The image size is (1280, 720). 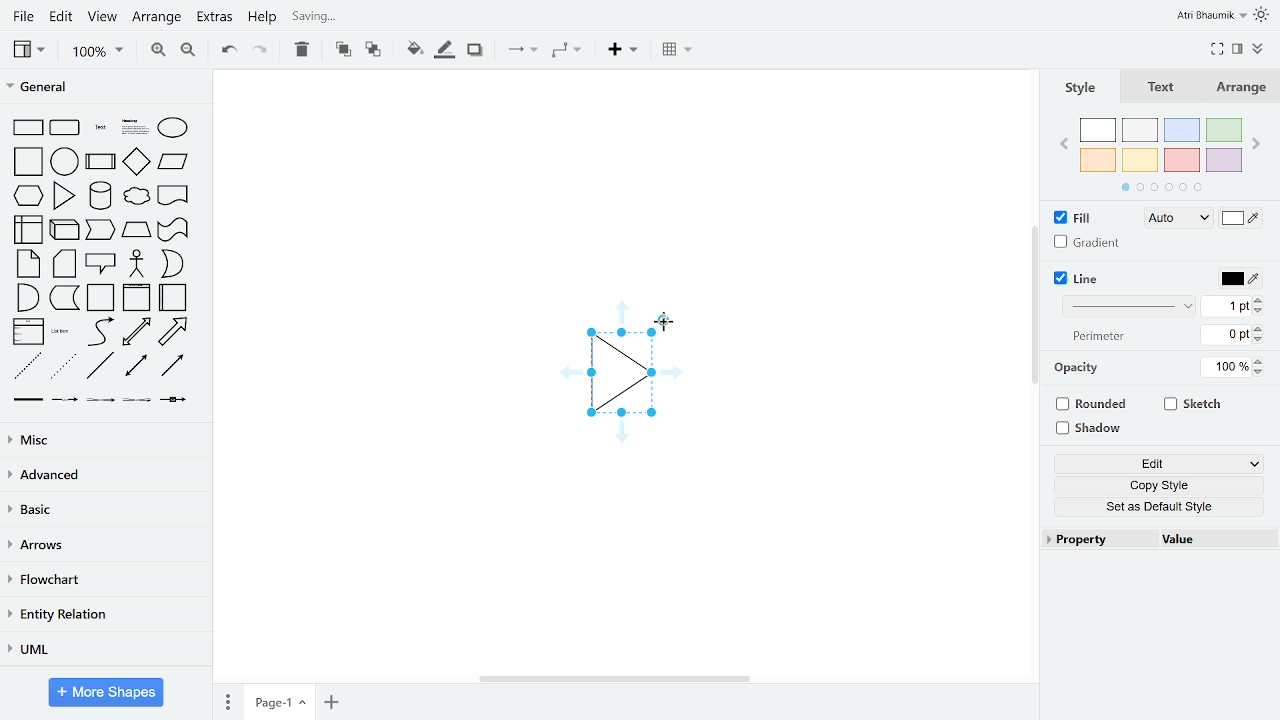 What do you see at coordinates (173, 162) in the screenshot?
I see `parallelogram` at bounding box center [173, 162].